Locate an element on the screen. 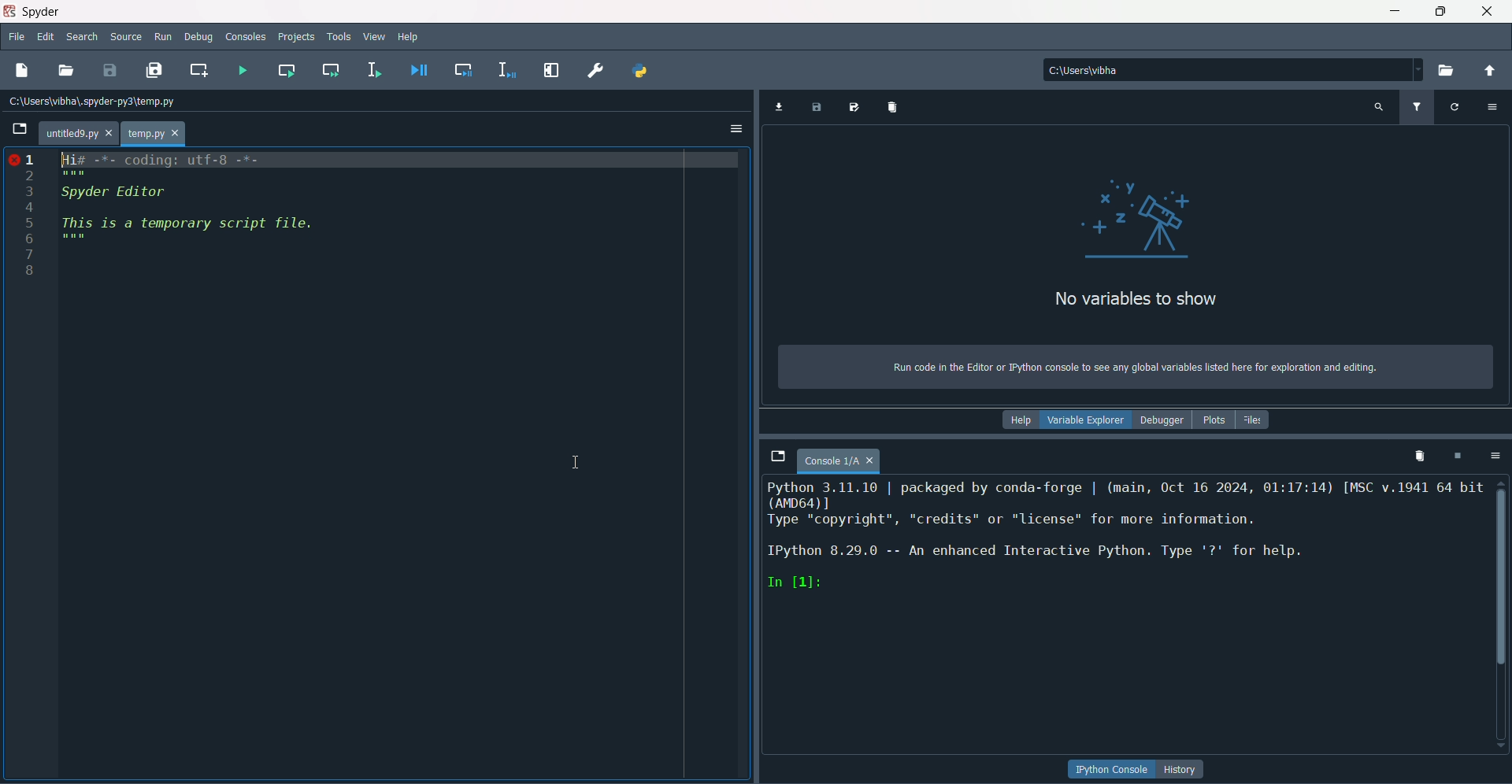 The image size is (1512, 784). debug selection is located at coordinates (503, 70).